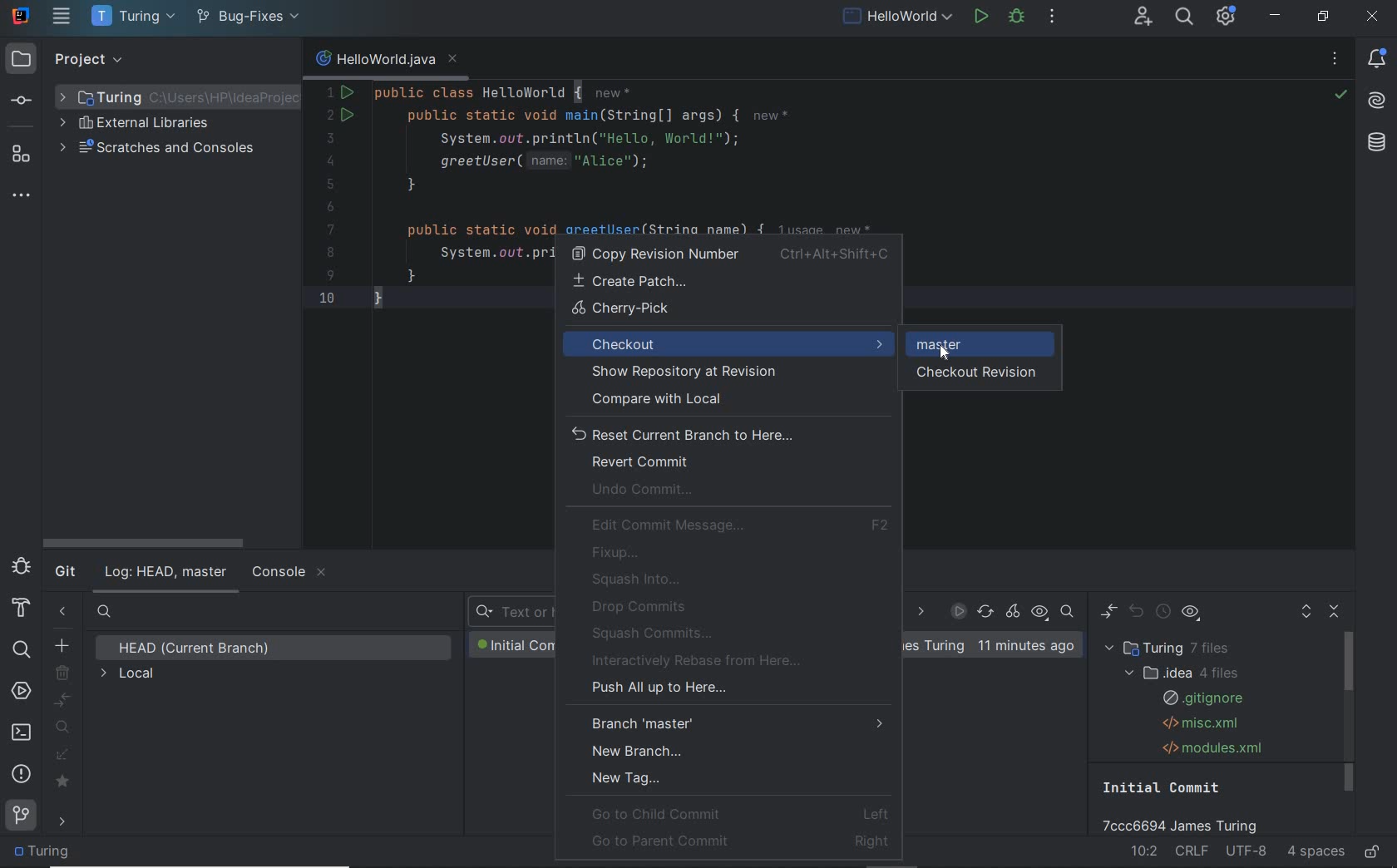  Describe the element at coordinates (1276, 16) in the screenshot. I see `minimize` at that location.